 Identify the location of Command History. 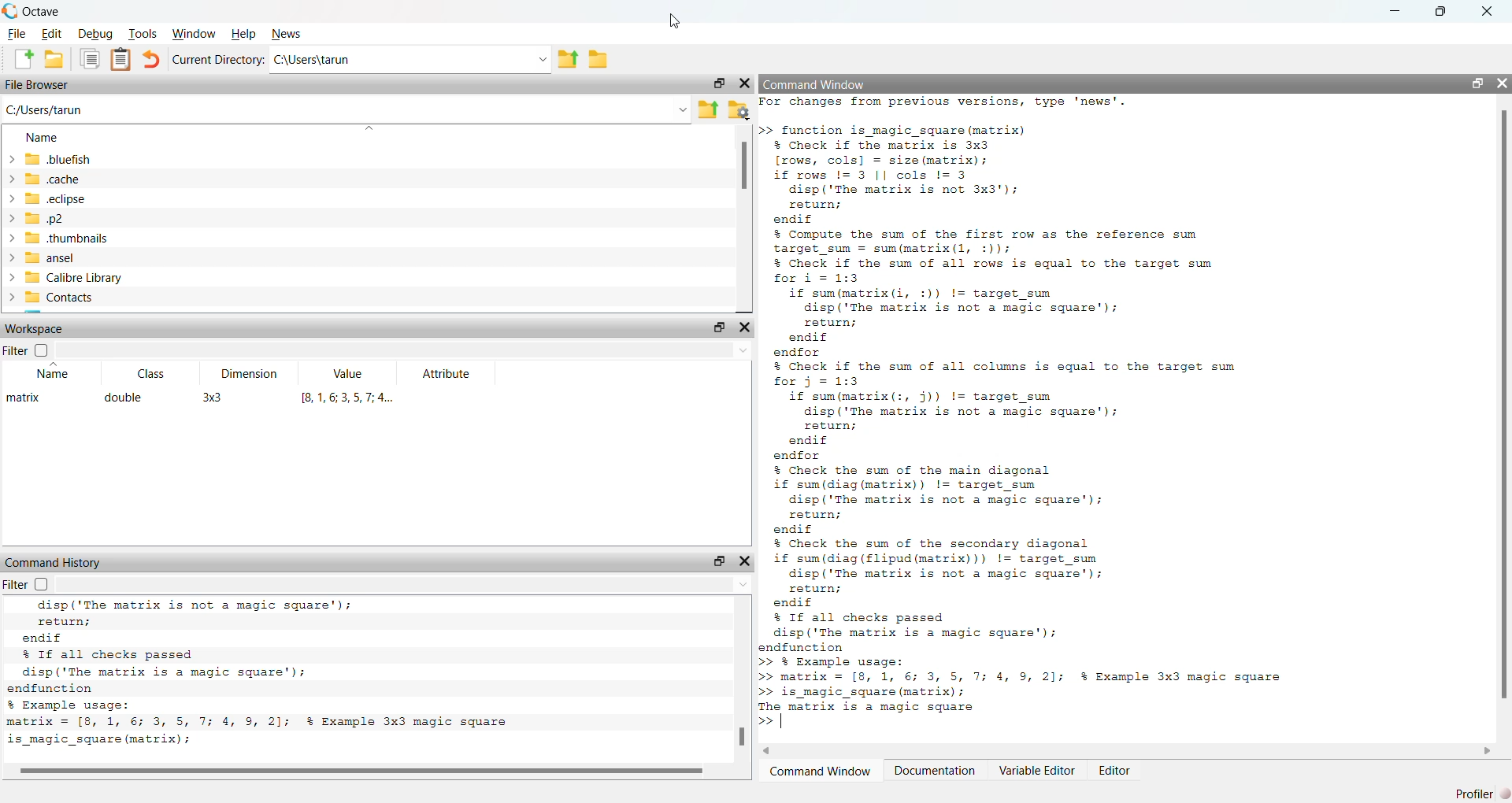
(55, 563).